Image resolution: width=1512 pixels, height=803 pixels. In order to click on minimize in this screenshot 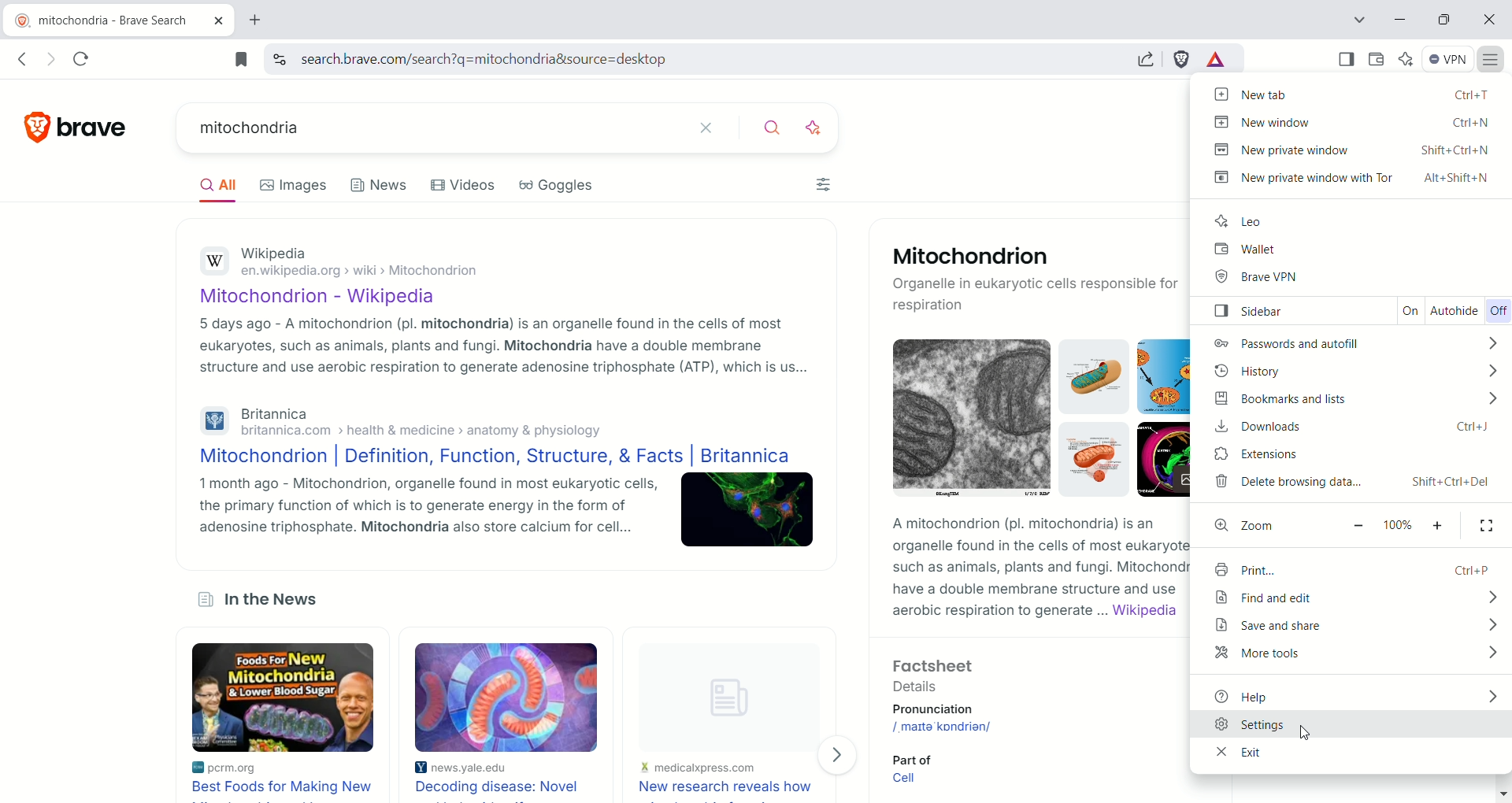, I will do `click(1397, 22)`.